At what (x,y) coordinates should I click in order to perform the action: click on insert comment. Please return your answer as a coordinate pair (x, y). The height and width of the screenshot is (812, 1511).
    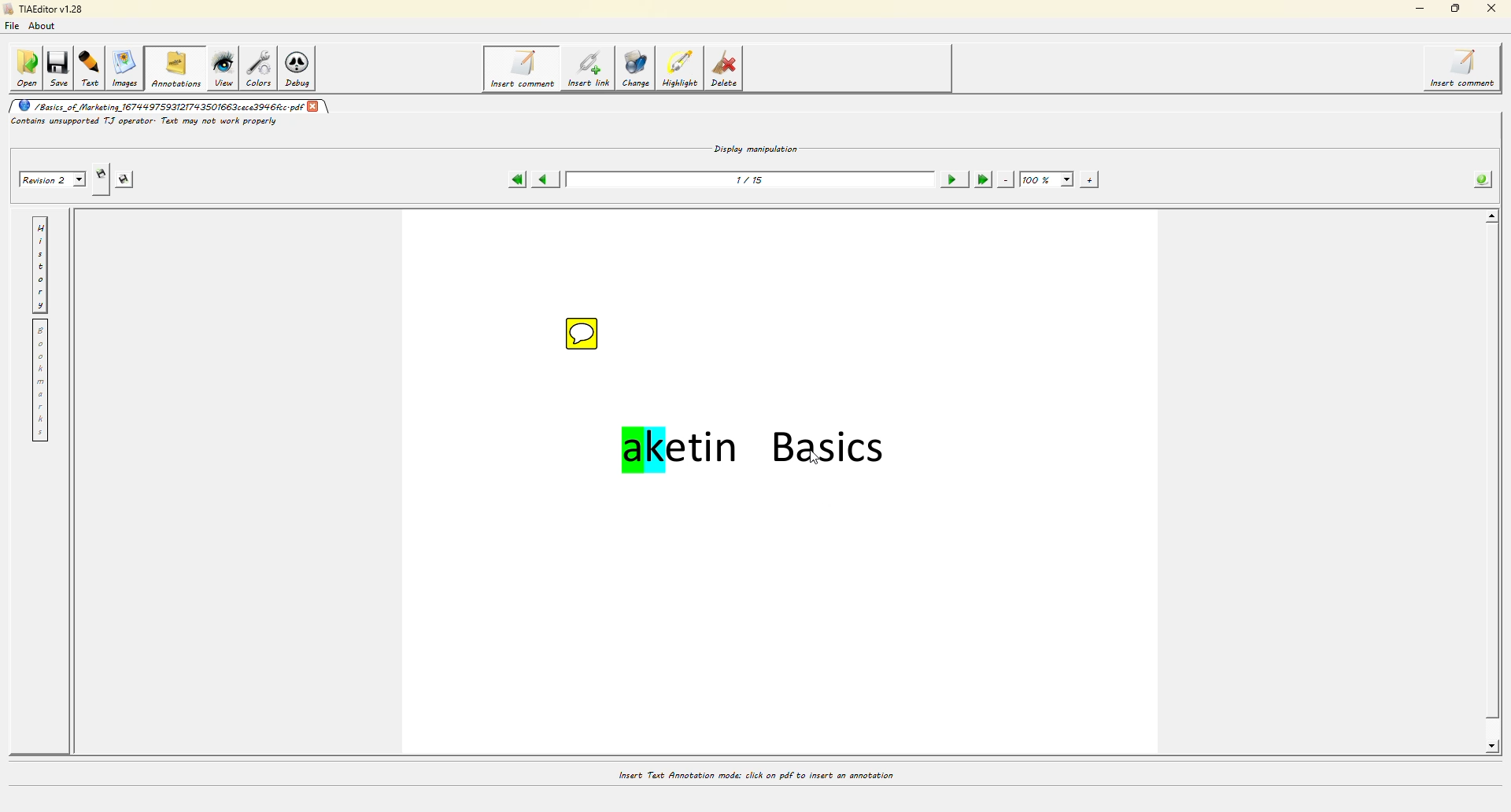
    Looking at the image, I should click on (520, 68).